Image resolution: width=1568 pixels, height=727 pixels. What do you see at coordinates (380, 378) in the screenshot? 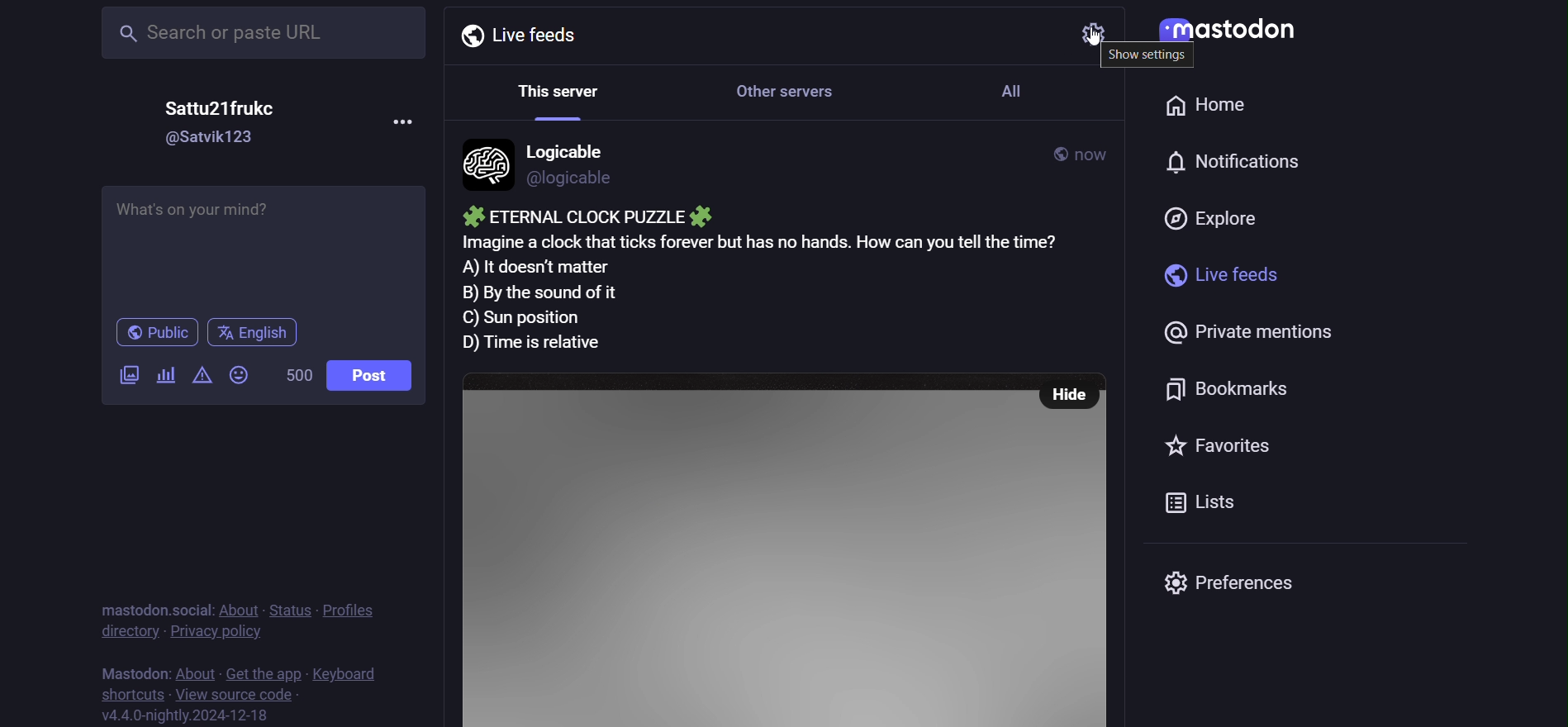
I see `post` at bounding box center [380, 378].